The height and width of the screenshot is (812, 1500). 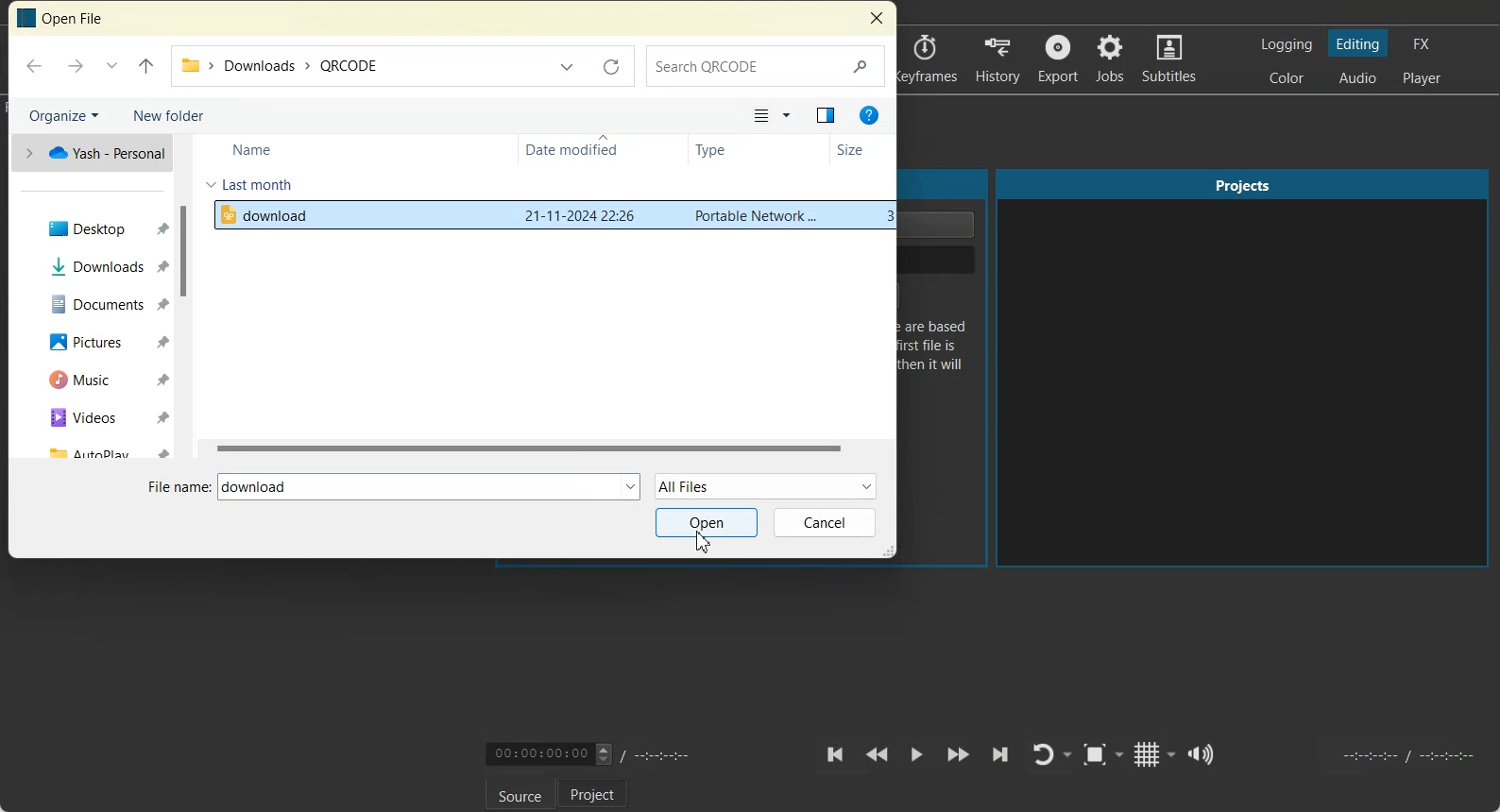 I want to click on Switch to the effect only layout, so click(x=1424, y=43).